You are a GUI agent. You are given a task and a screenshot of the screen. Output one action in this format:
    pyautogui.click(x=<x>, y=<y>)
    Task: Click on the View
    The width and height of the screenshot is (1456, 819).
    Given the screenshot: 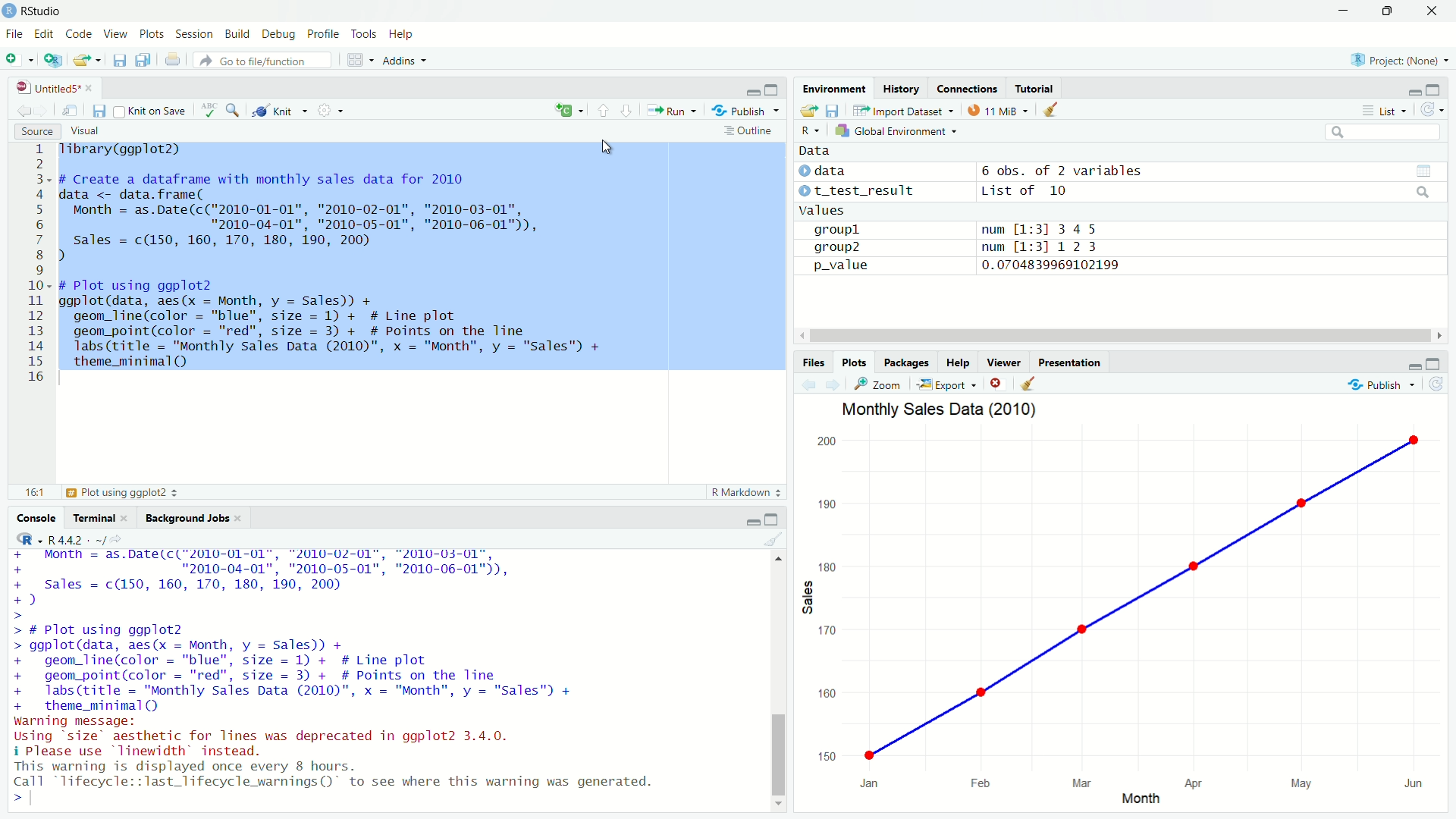 What is the action you would take?
    pyautogui.click(x=115, y=32)
    